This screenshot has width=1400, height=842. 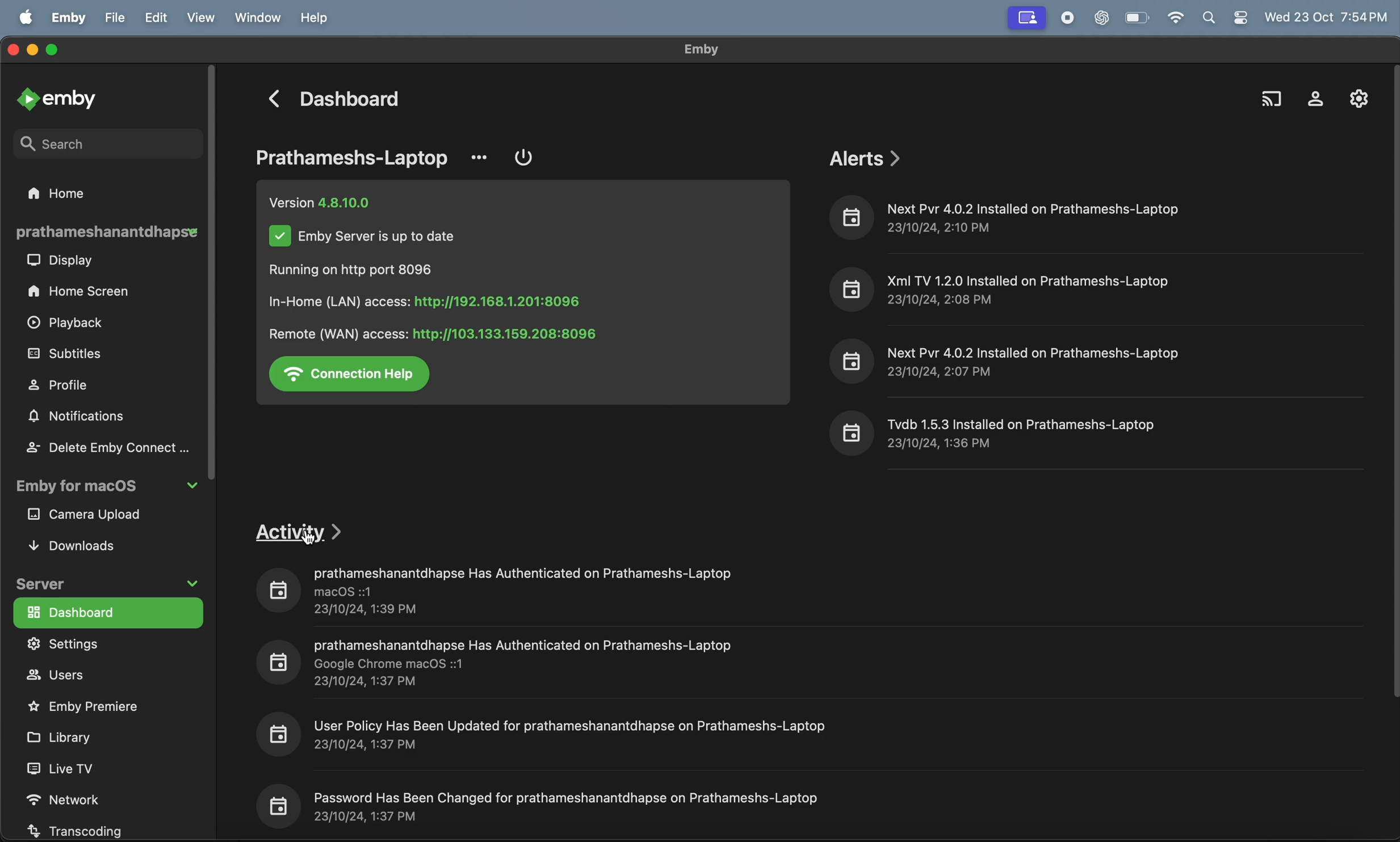 What do you see at coordinates (364, 239) in the screenshot?
I see `Vv Emby Server is up to date` at bounding box center [364, 239].